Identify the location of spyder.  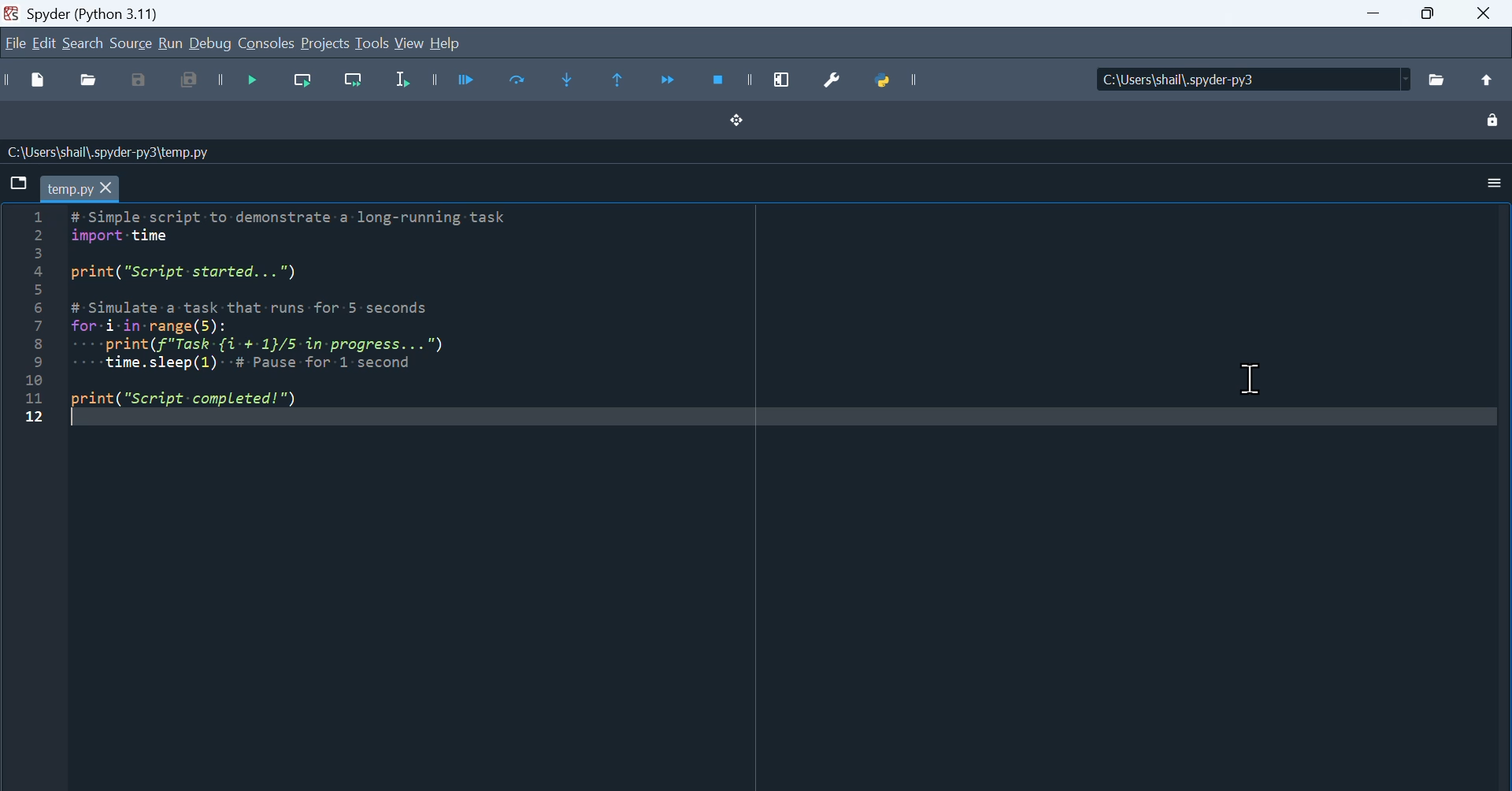
(83, 13).